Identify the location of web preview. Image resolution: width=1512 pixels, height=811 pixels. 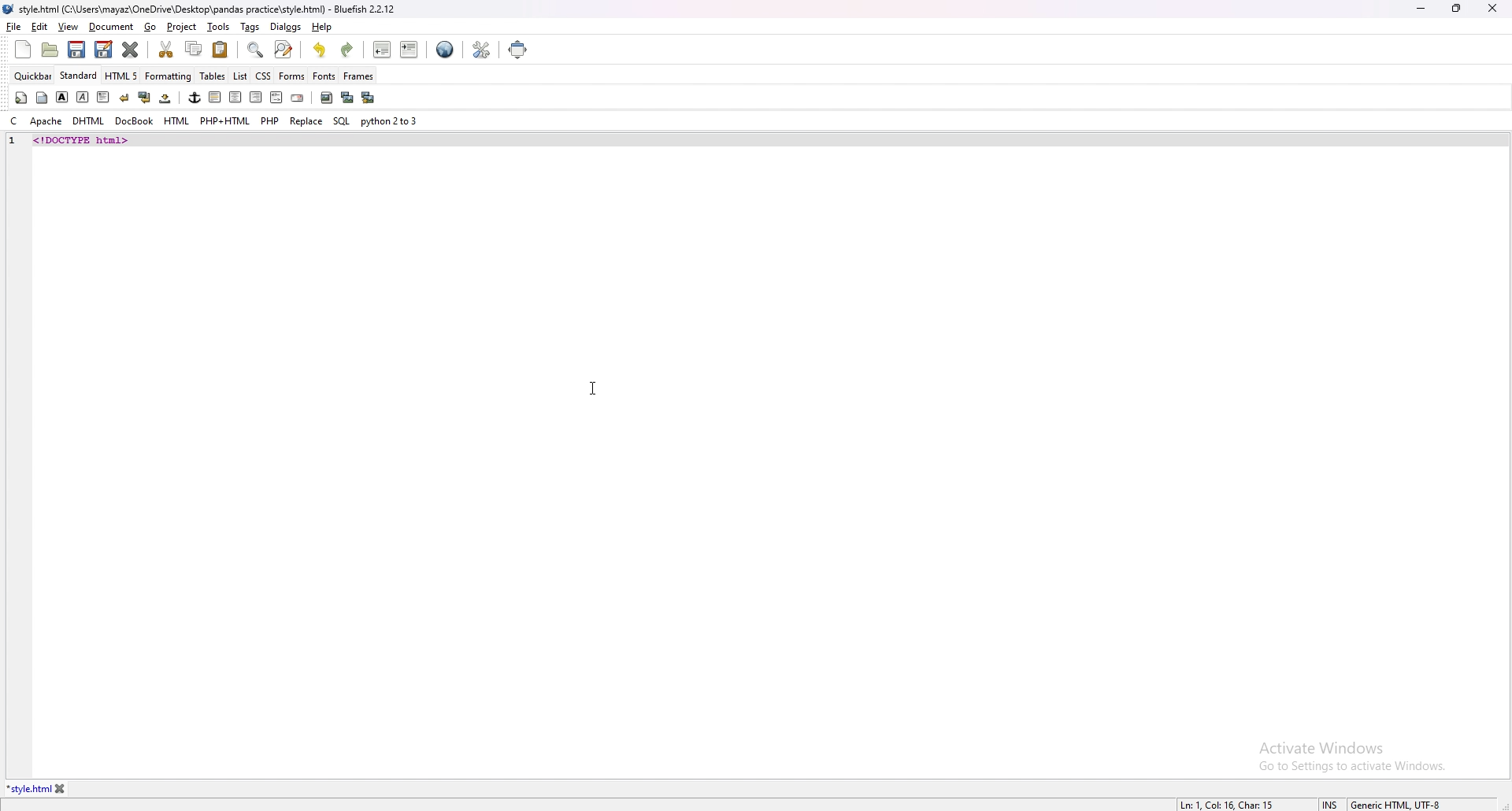
(445, 50).